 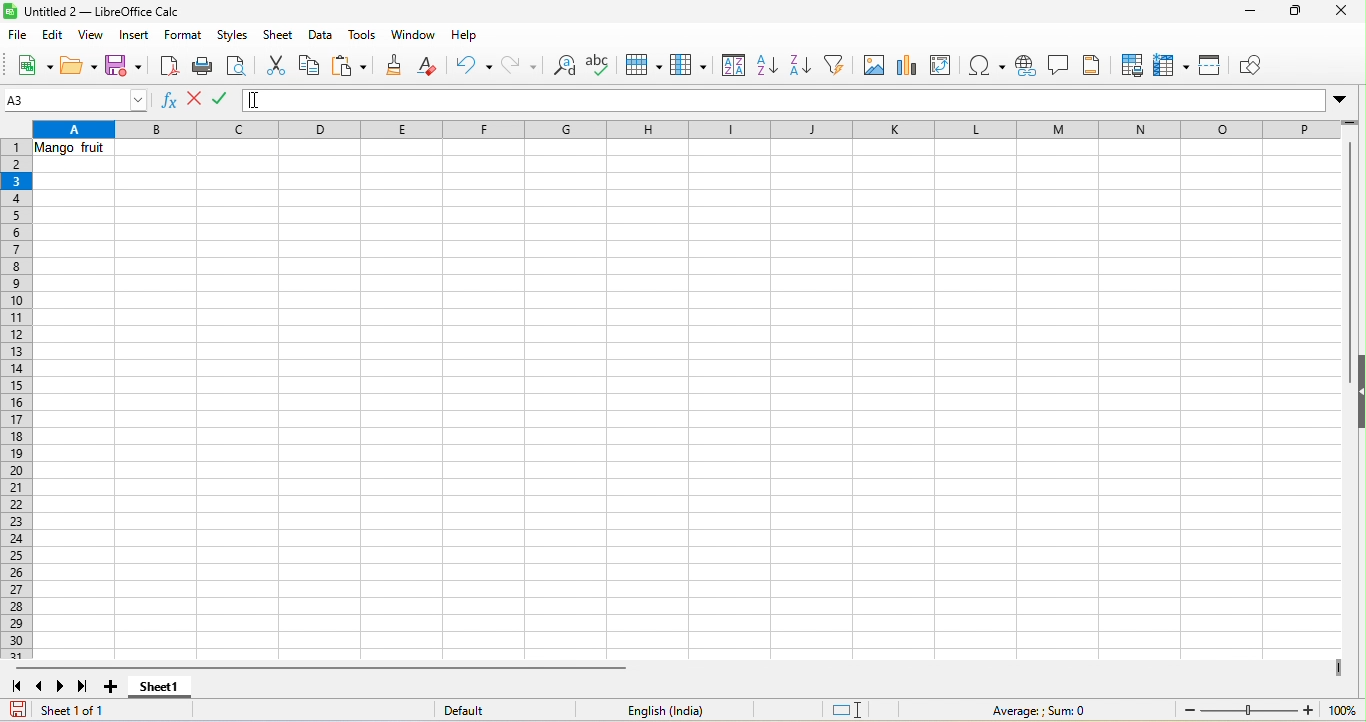 What do you see at coordinates (310, 67) in the screenshot?
I see `copy` at bounding box center [310, 67].